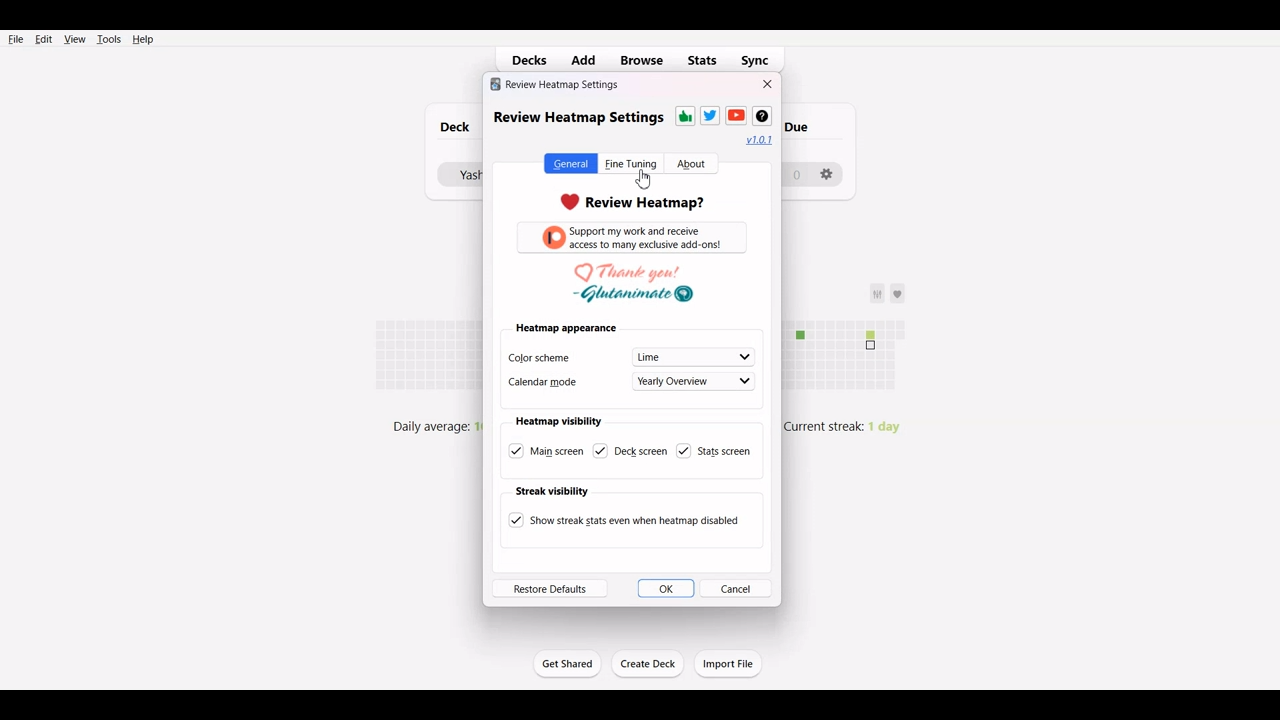 Image resolution: width=1280 pixels, height=720 pixels. Describe the element at coordinates (74, 39) in the screenshot. I see `View` at that location.